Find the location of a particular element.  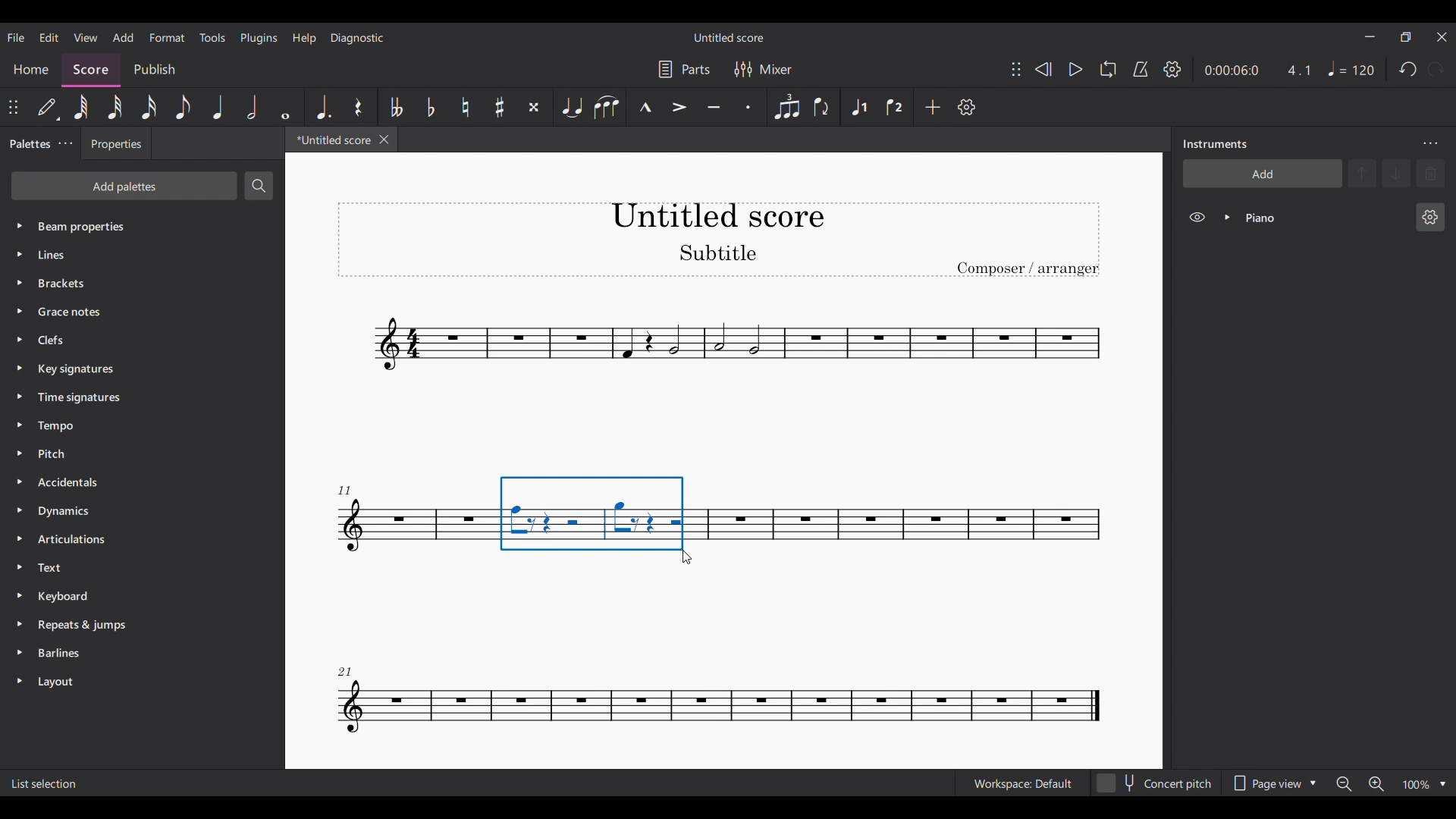

Tempo is located at coordinates (136, 426).